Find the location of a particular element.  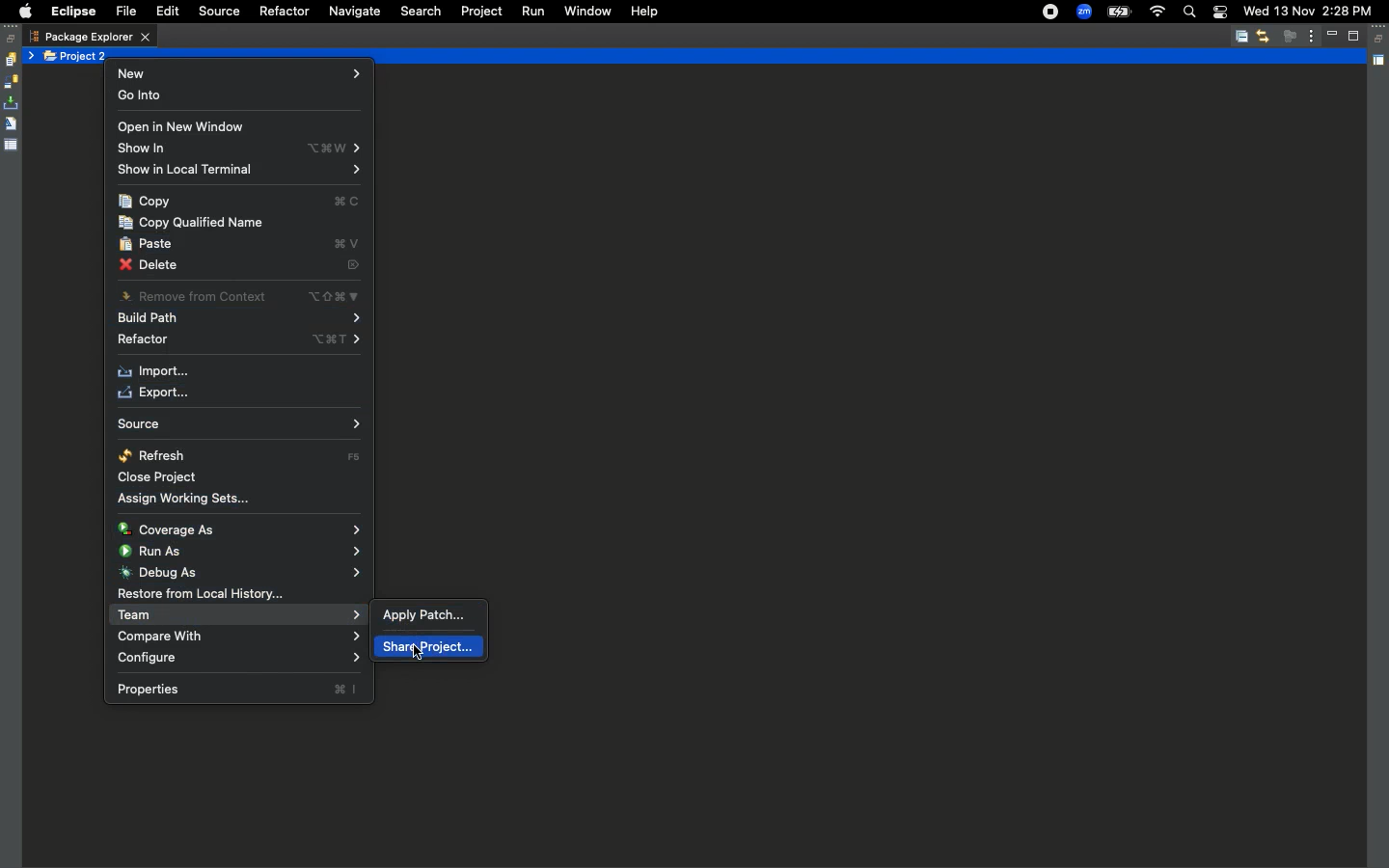

Git staging  is located at coordinates (13, 103).